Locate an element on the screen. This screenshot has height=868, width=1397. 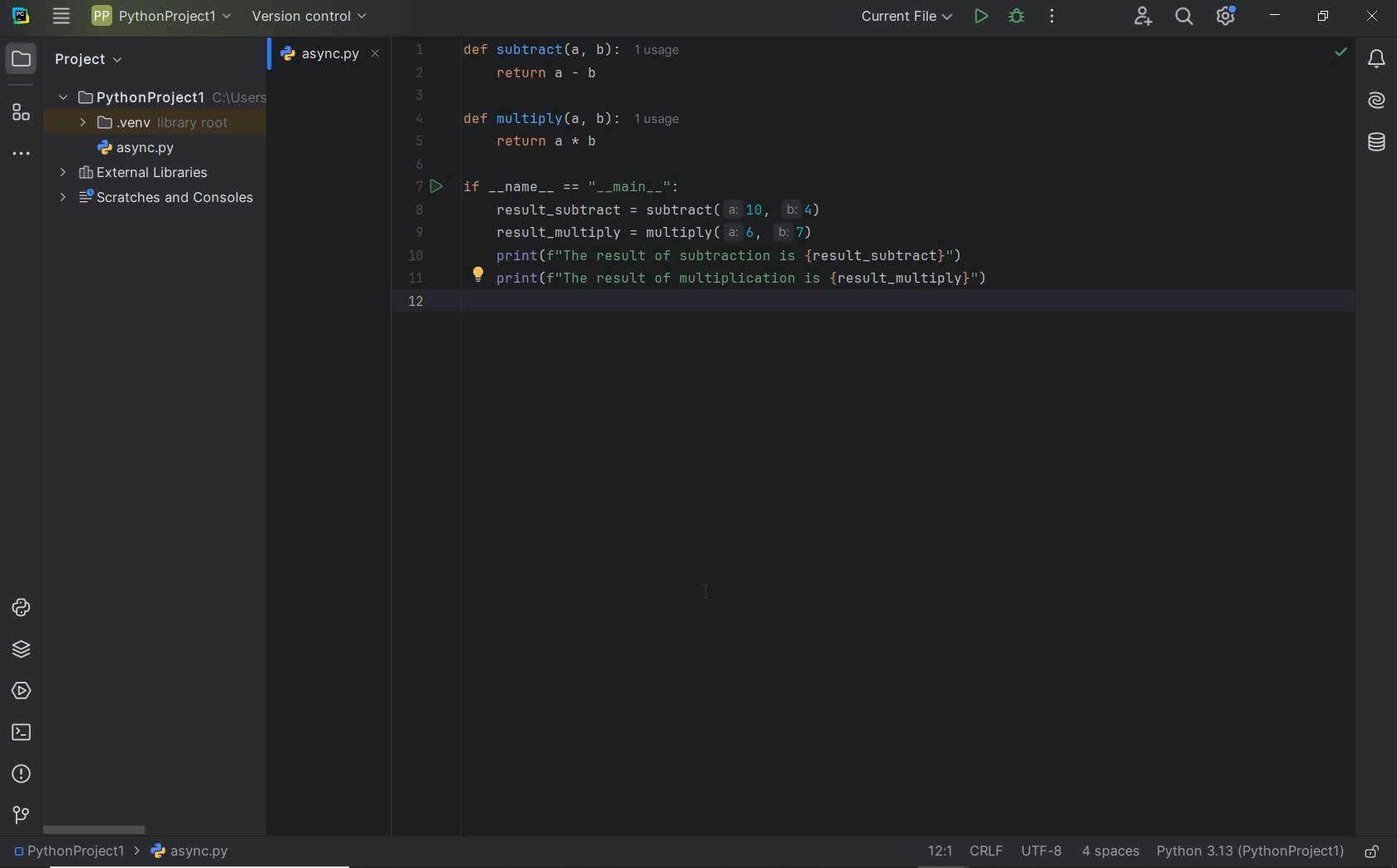
file name is located at coordinates (190, 852).